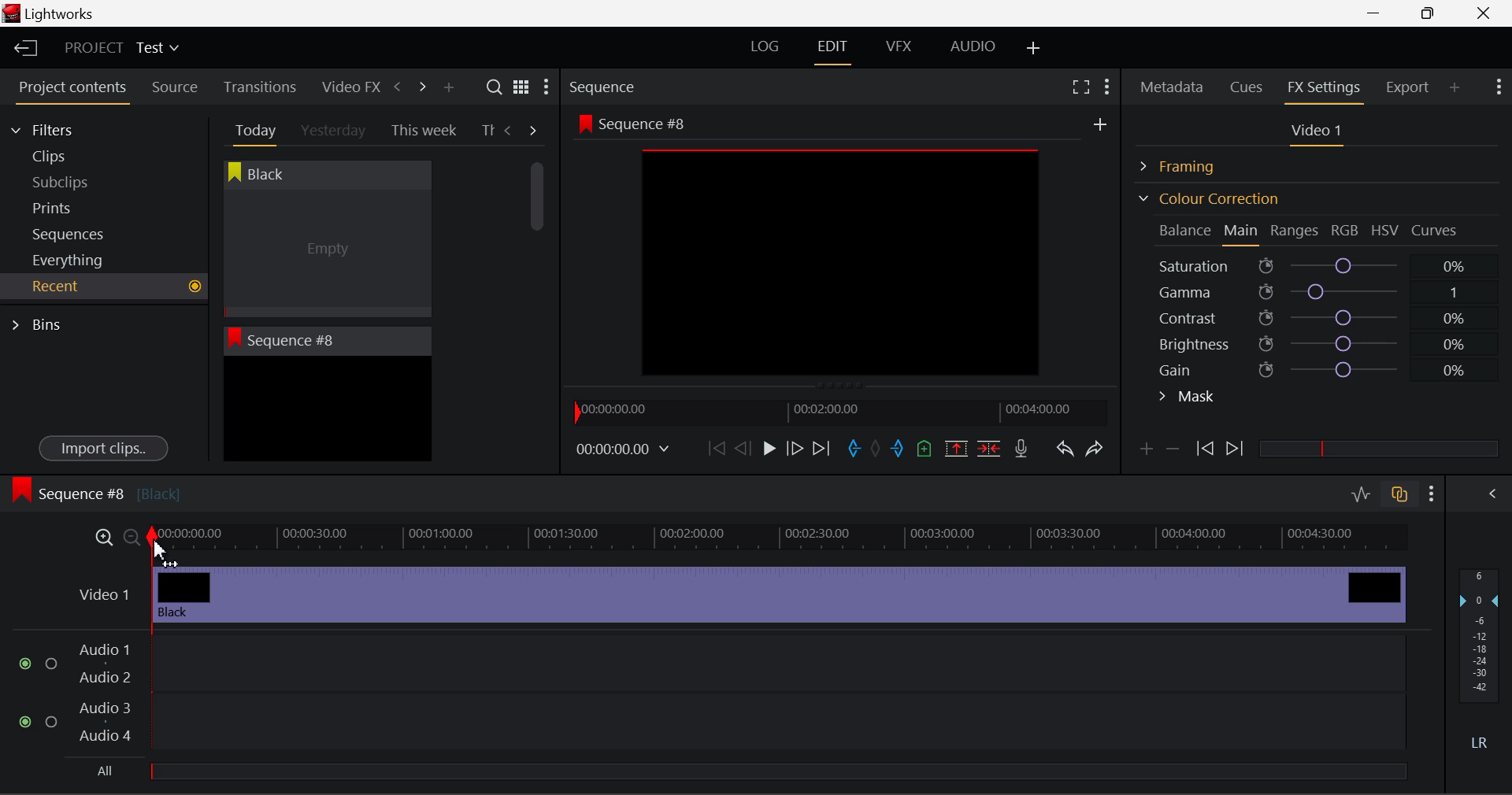 This screenshot has width=1512, height=795. Describe the element at coordinates (855, 449) in the screenshot. I see `Mark In` at that location.